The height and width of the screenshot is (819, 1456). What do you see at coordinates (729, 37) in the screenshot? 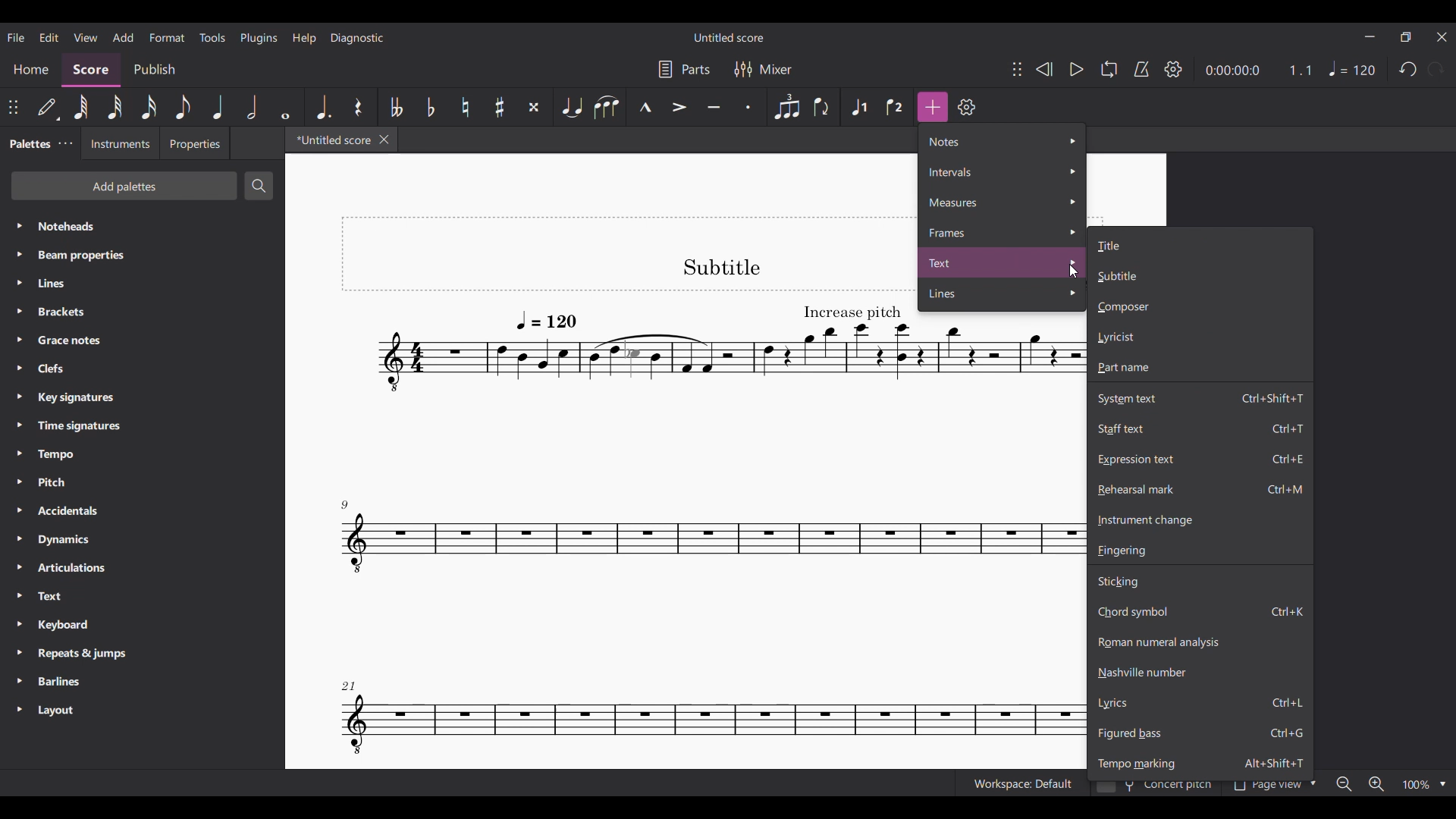
I see `Untitled score` at bounding box center [729, 37].